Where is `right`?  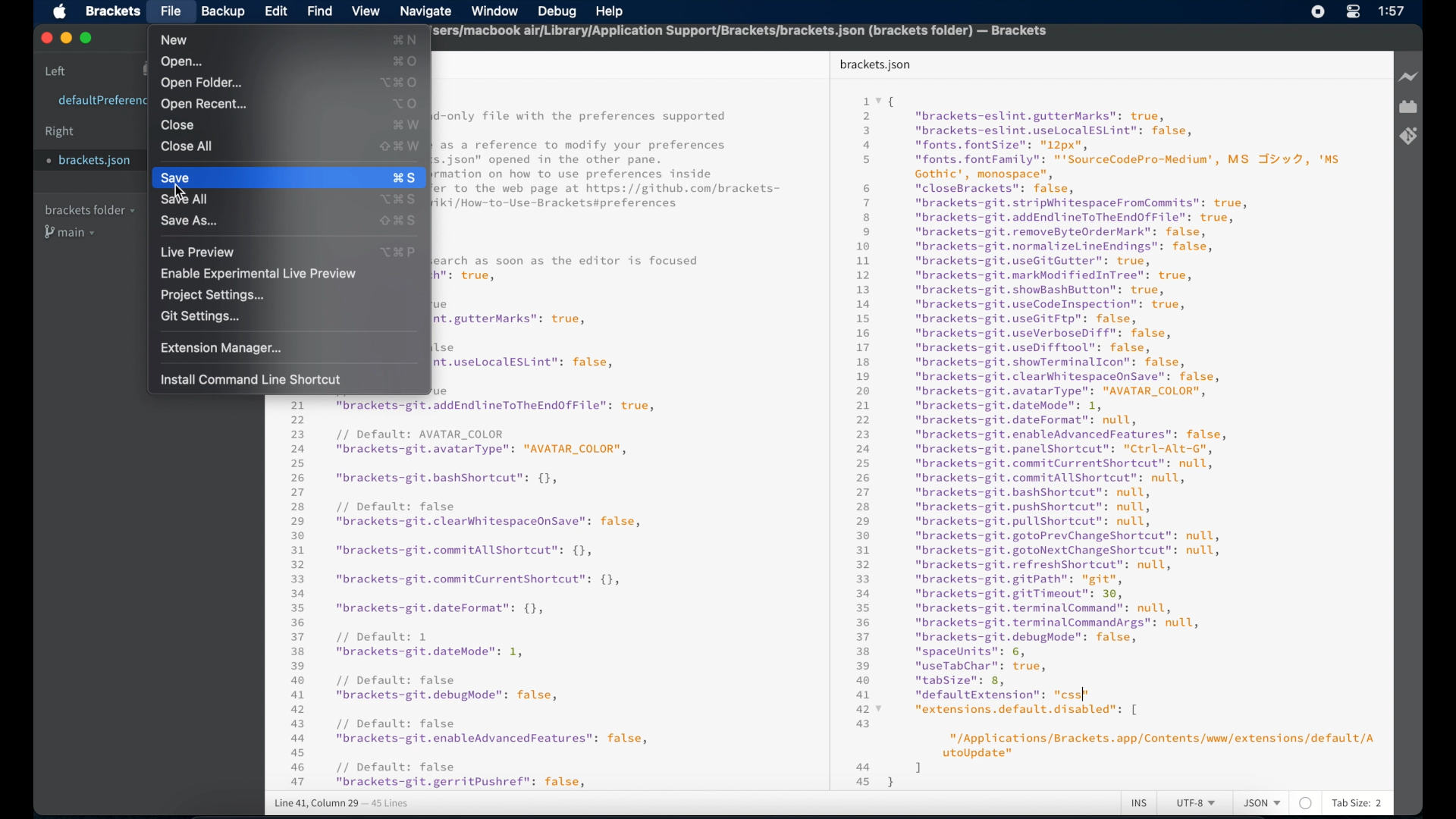
right is located at coordinates (61, 132).